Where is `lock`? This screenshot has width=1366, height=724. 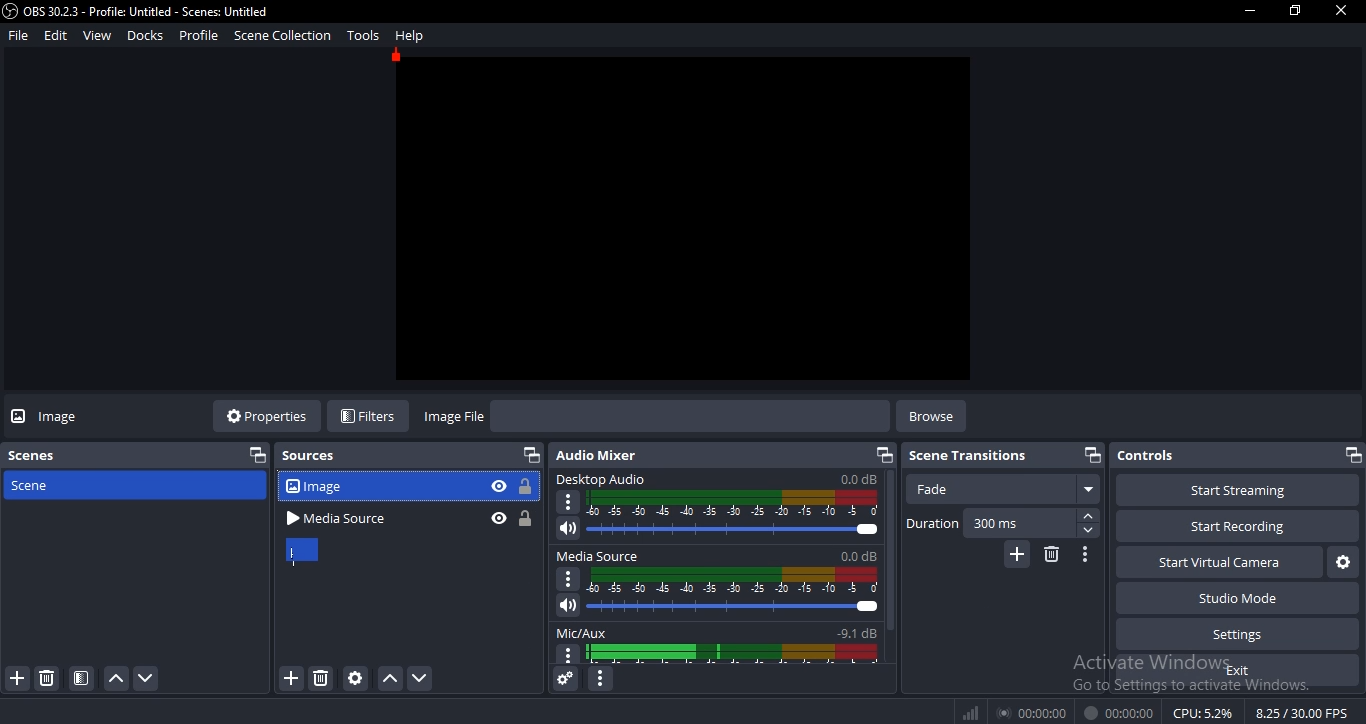
lock is located at coordinates (522, 487).